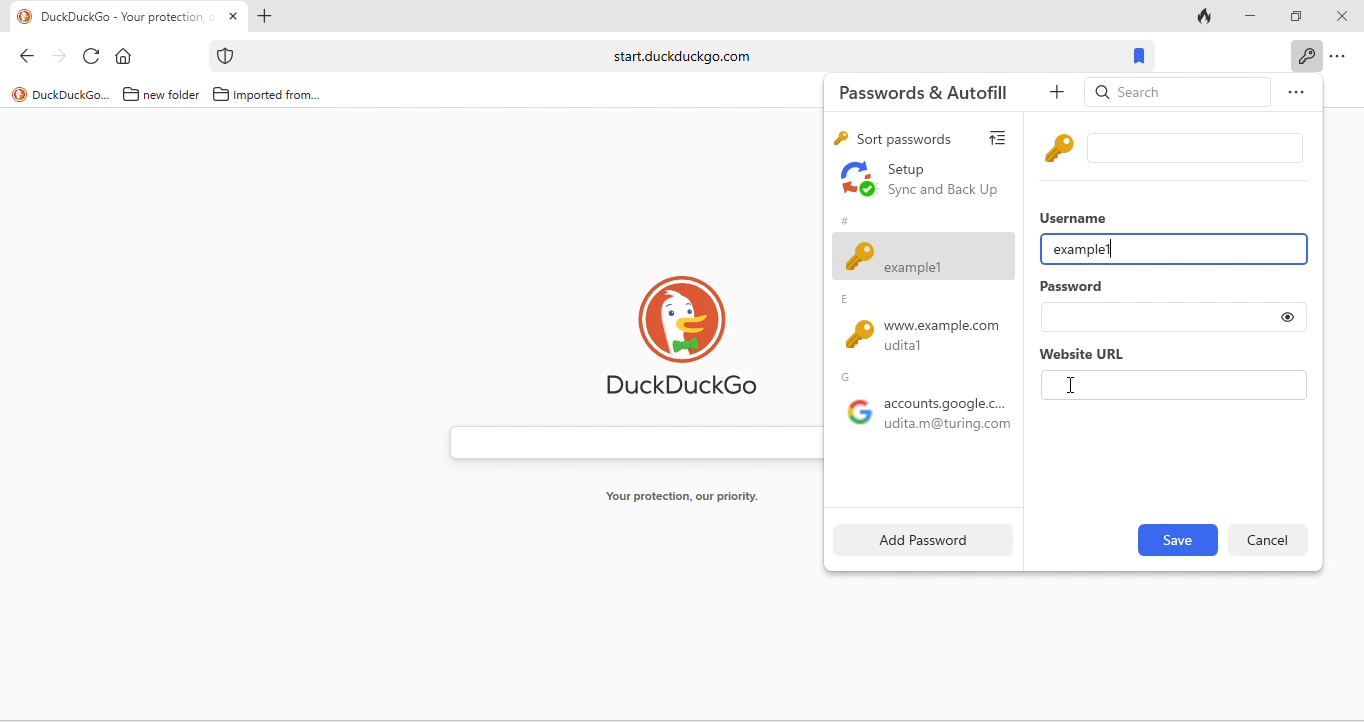 The width and height of the screenshot is (1364, 722). I want to click on minimize, so click(1247, 14).